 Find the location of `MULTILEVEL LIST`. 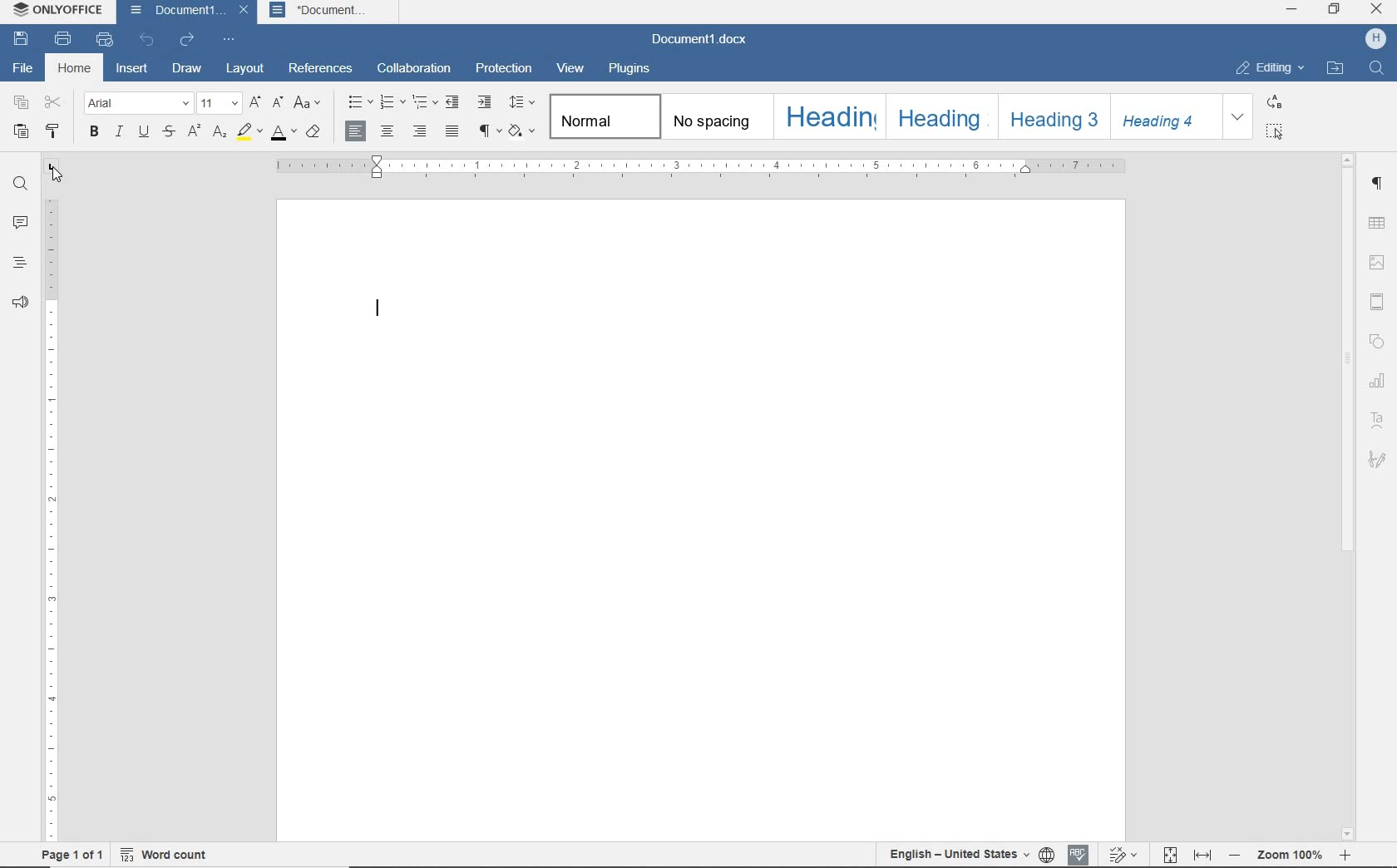

MULTILEVEL LIST is located at coordinates (425, 101).